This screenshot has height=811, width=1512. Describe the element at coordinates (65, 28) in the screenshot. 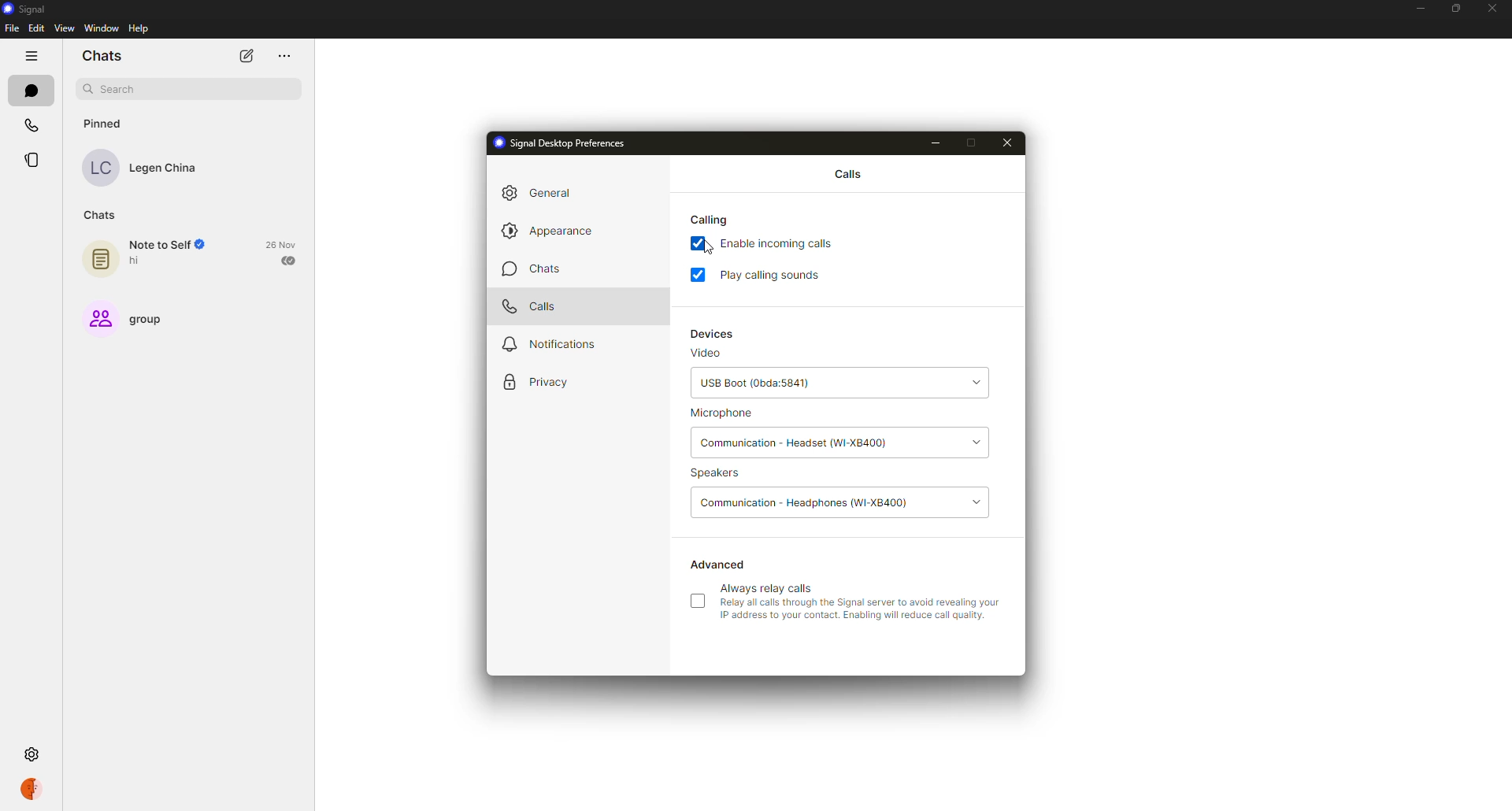

I see `view` at that location.